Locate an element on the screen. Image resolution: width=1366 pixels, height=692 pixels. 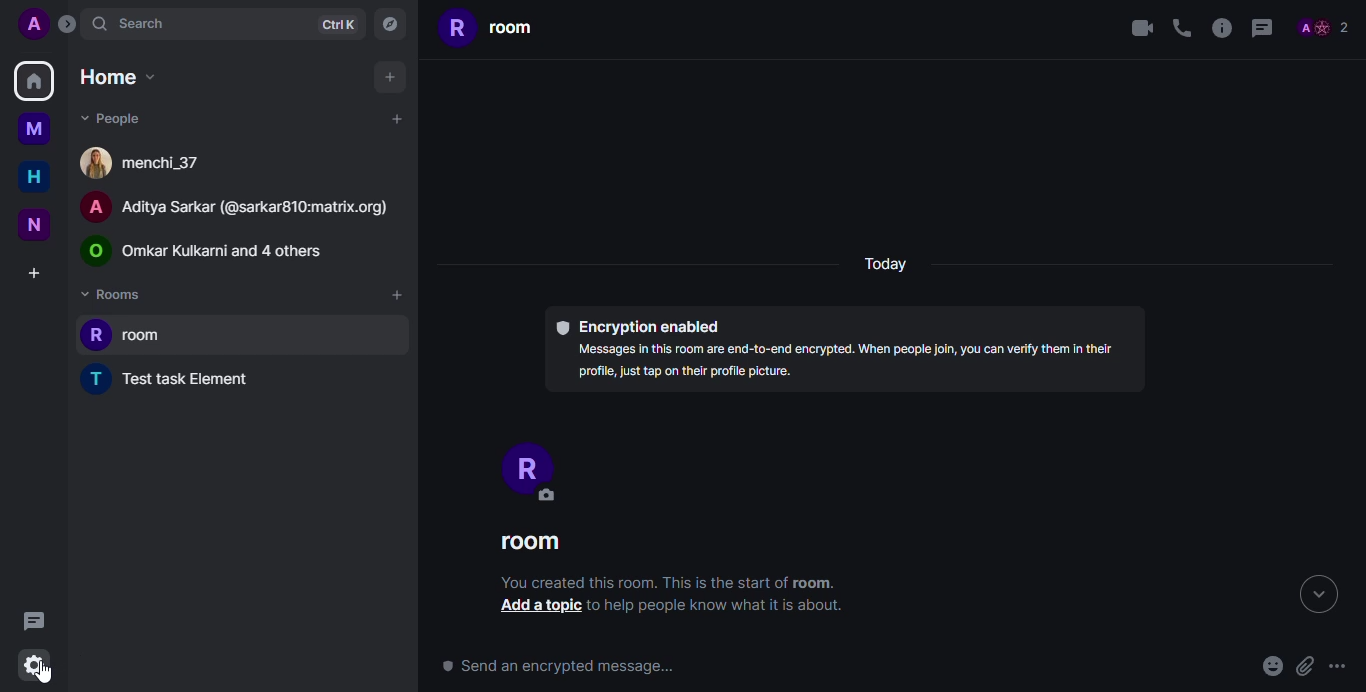
threads is located at coordinates (1262, 27).